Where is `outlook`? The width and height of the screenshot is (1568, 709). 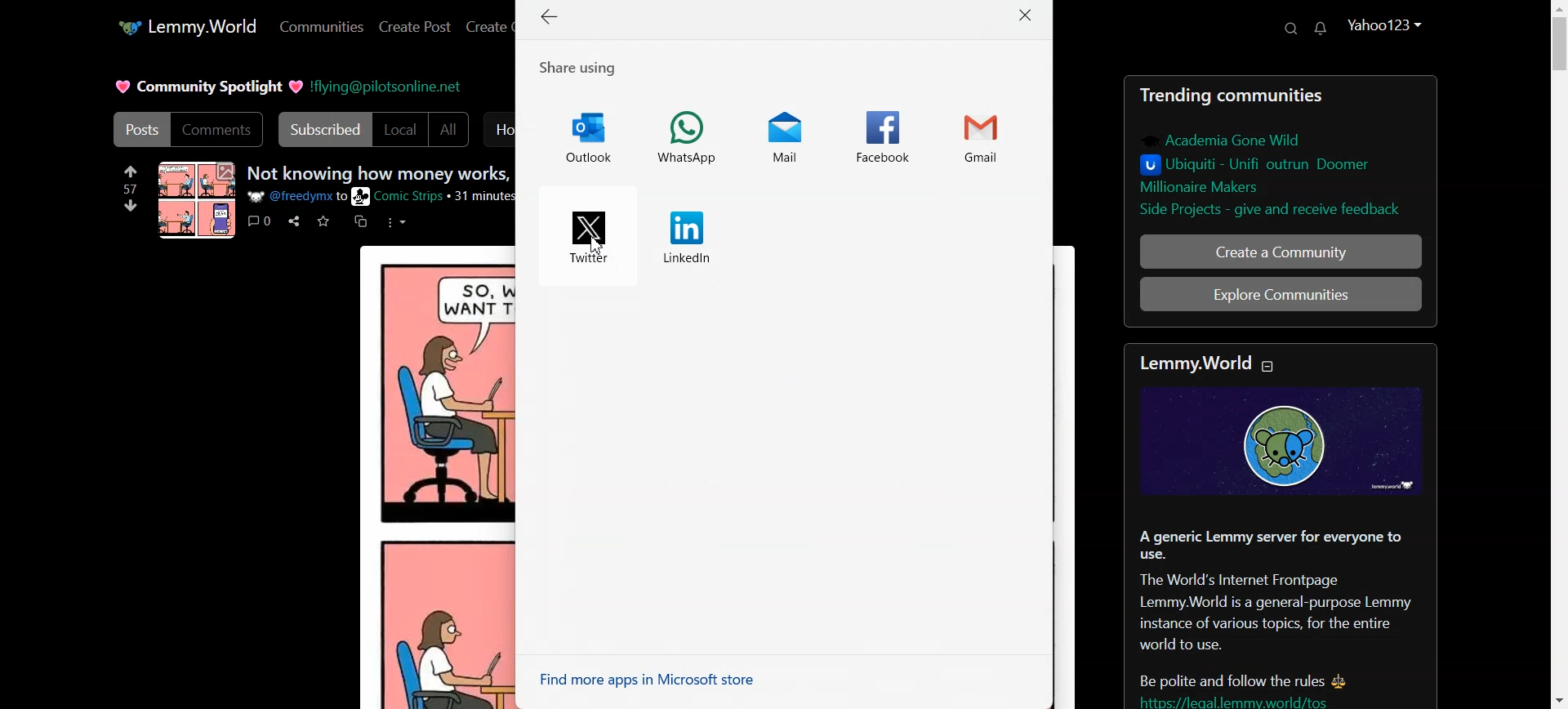
outlook is located at coordinates (588, 136).